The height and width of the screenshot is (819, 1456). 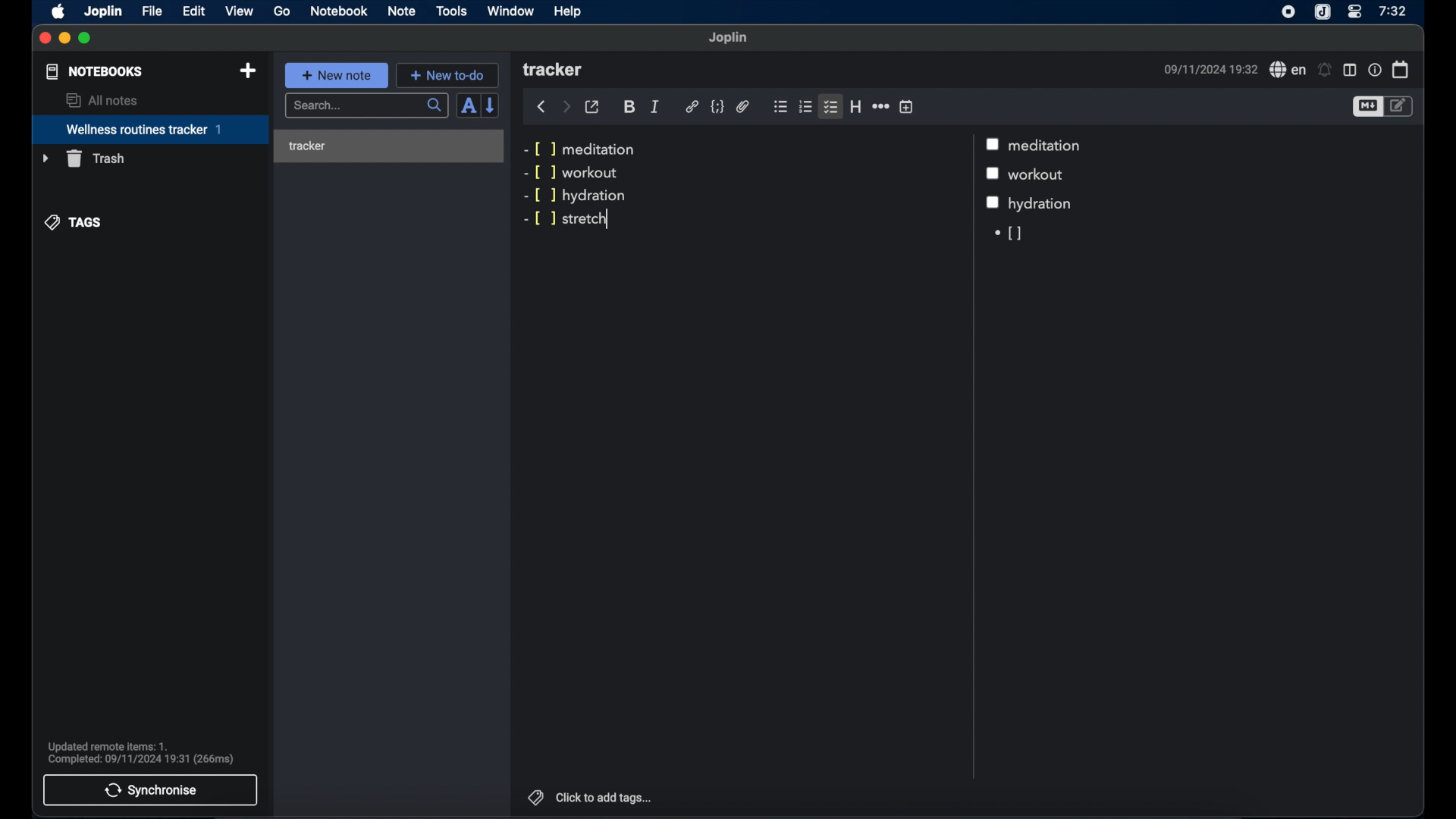 I want to click on set alarms, so click(x=1325, y=70).